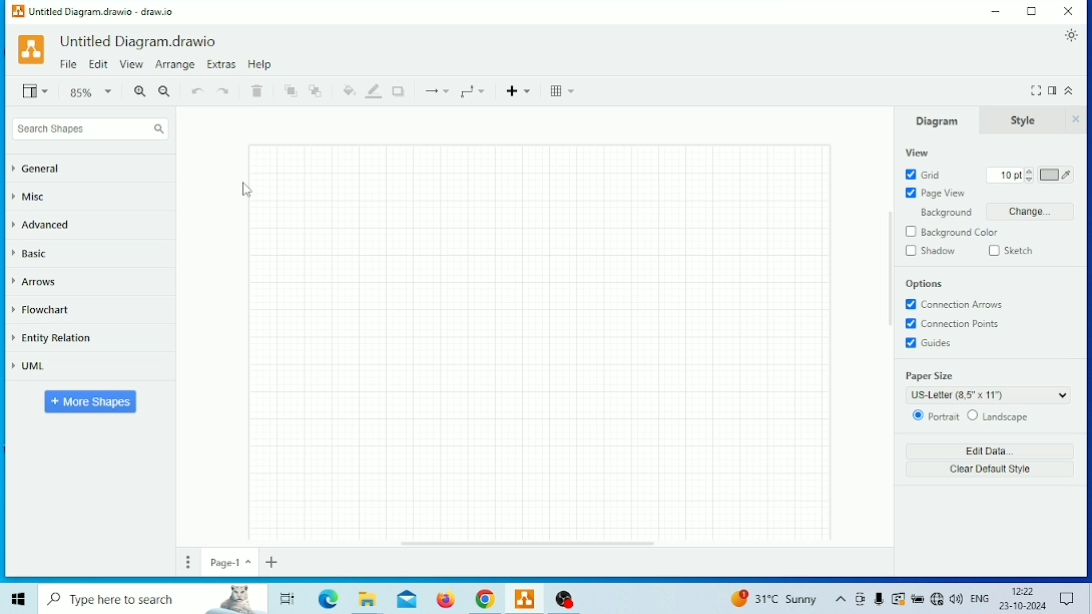  Describe the element at coordinates (1068, 11) in the screenshot. I see `Close` at that location.